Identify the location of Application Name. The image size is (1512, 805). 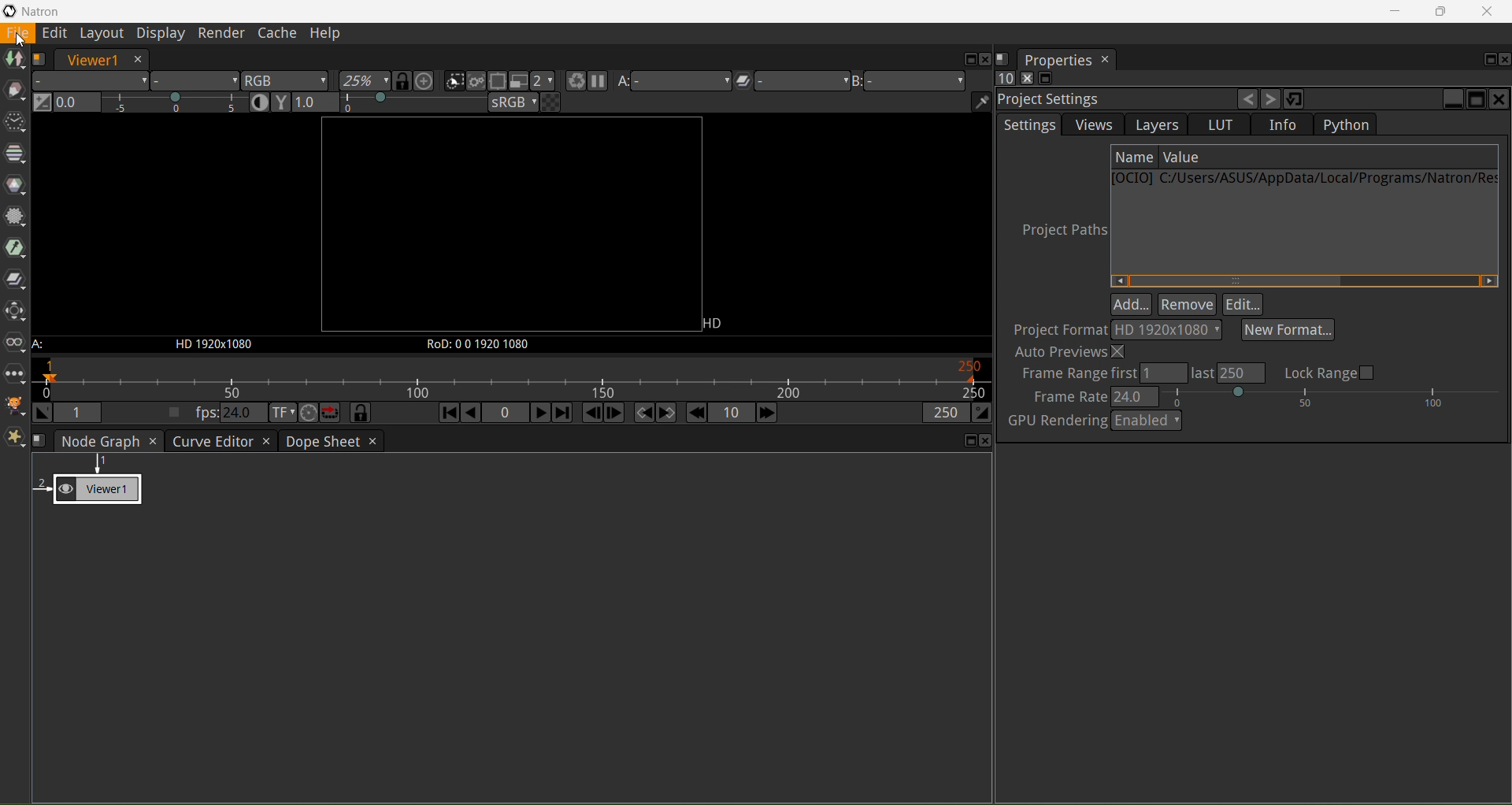
(42, 10).